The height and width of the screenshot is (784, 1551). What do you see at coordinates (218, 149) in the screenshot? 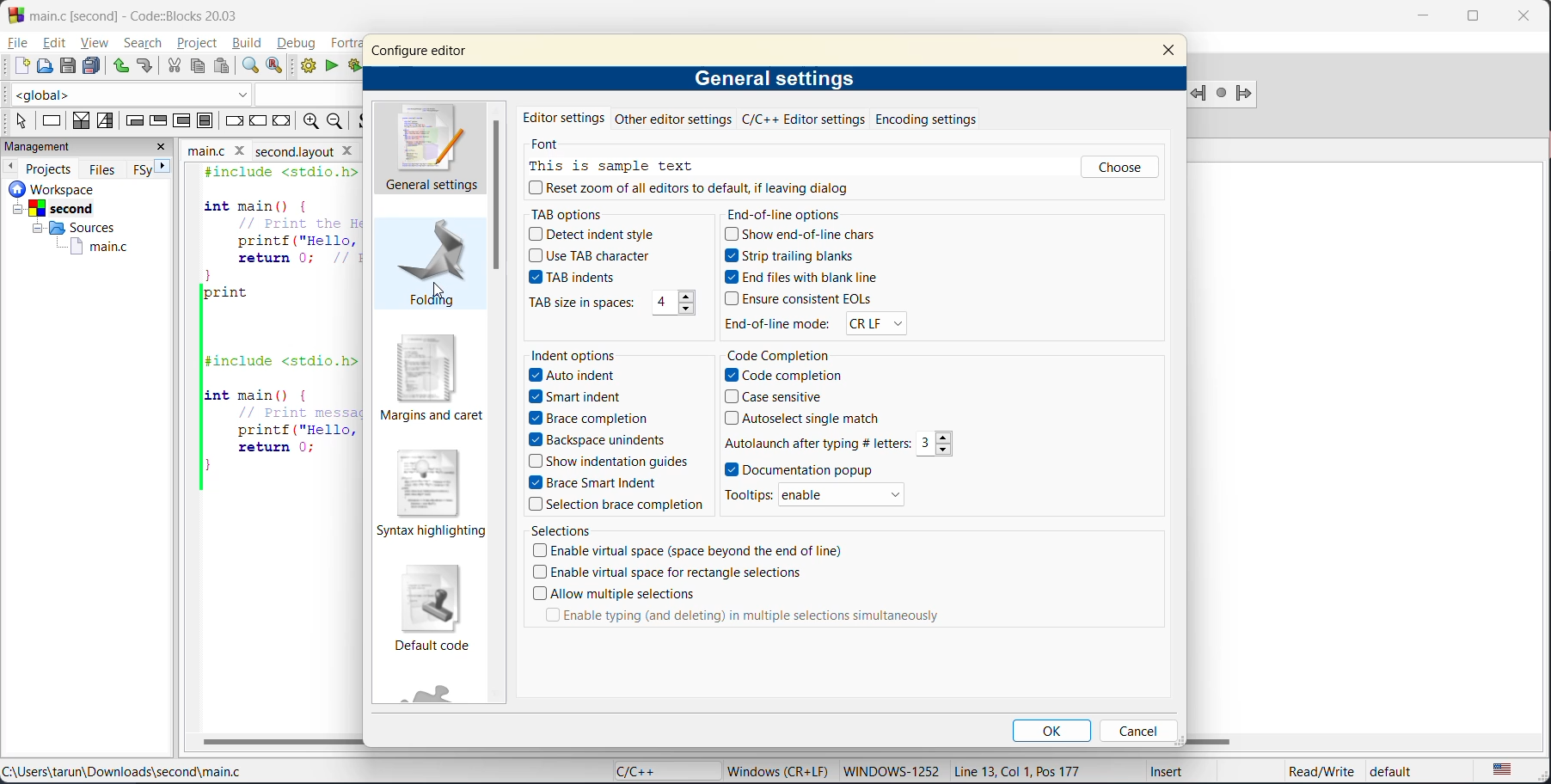
I see `file name` at bounding box center [218, 149].